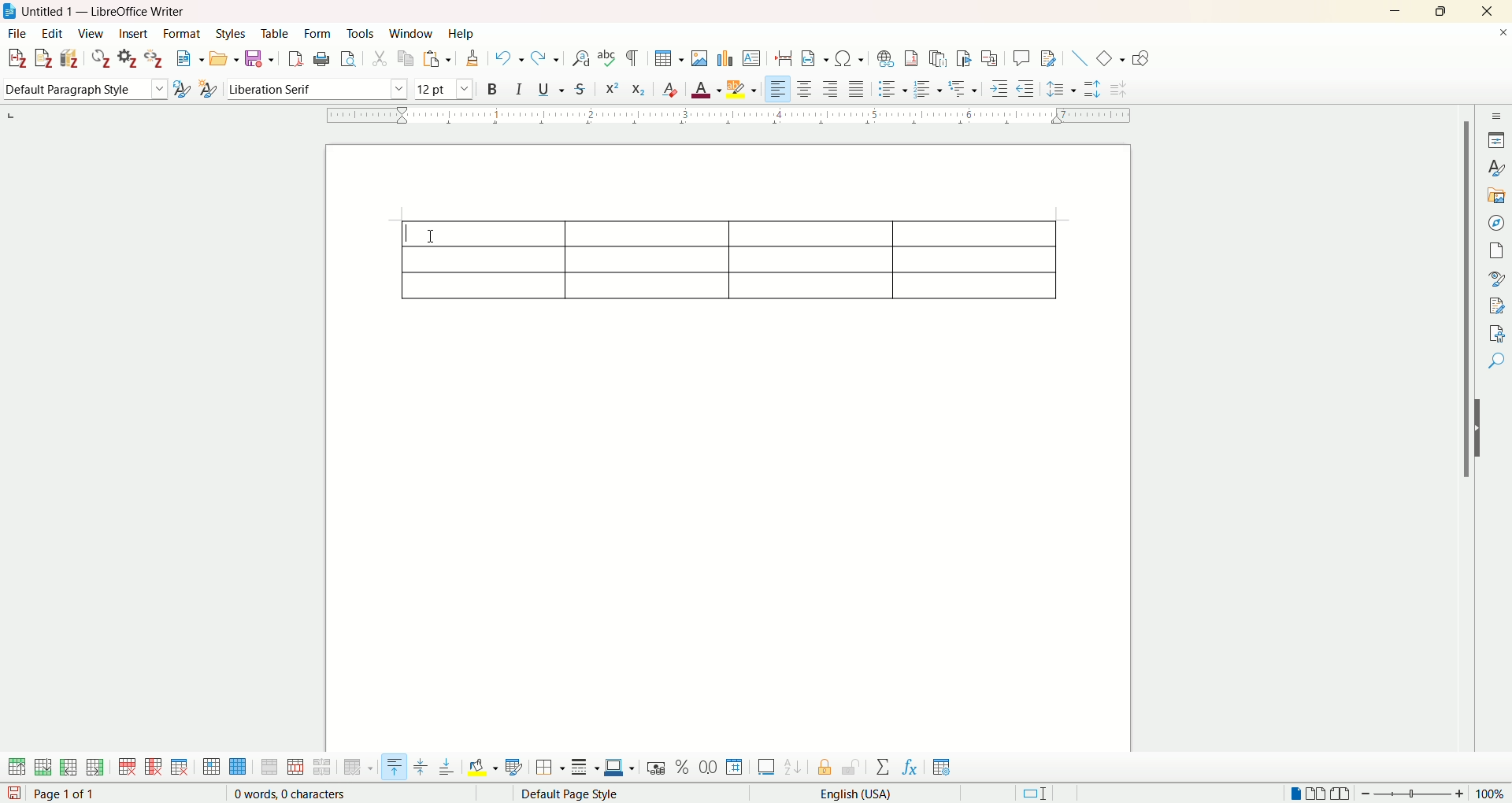  What do you see at coordinates (104, 9) in the screenshot?
I see `Untitled 1 — LibreOffice Writer` at bounding box center [104, 9].